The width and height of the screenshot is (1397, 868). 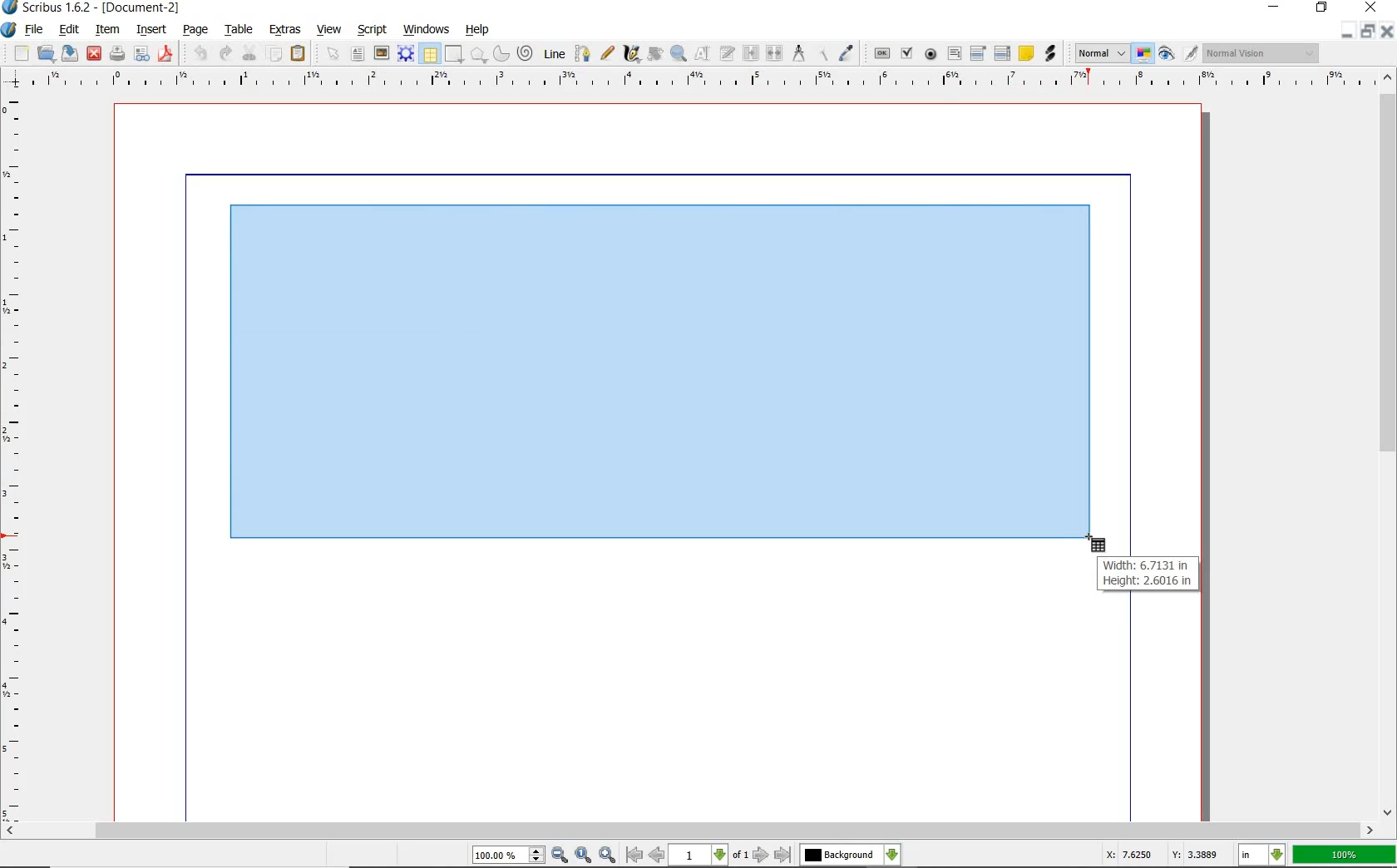 What do you see at coordinates (430, 54) in the screenshot?
I see `table` at bounding box center [430, 54].